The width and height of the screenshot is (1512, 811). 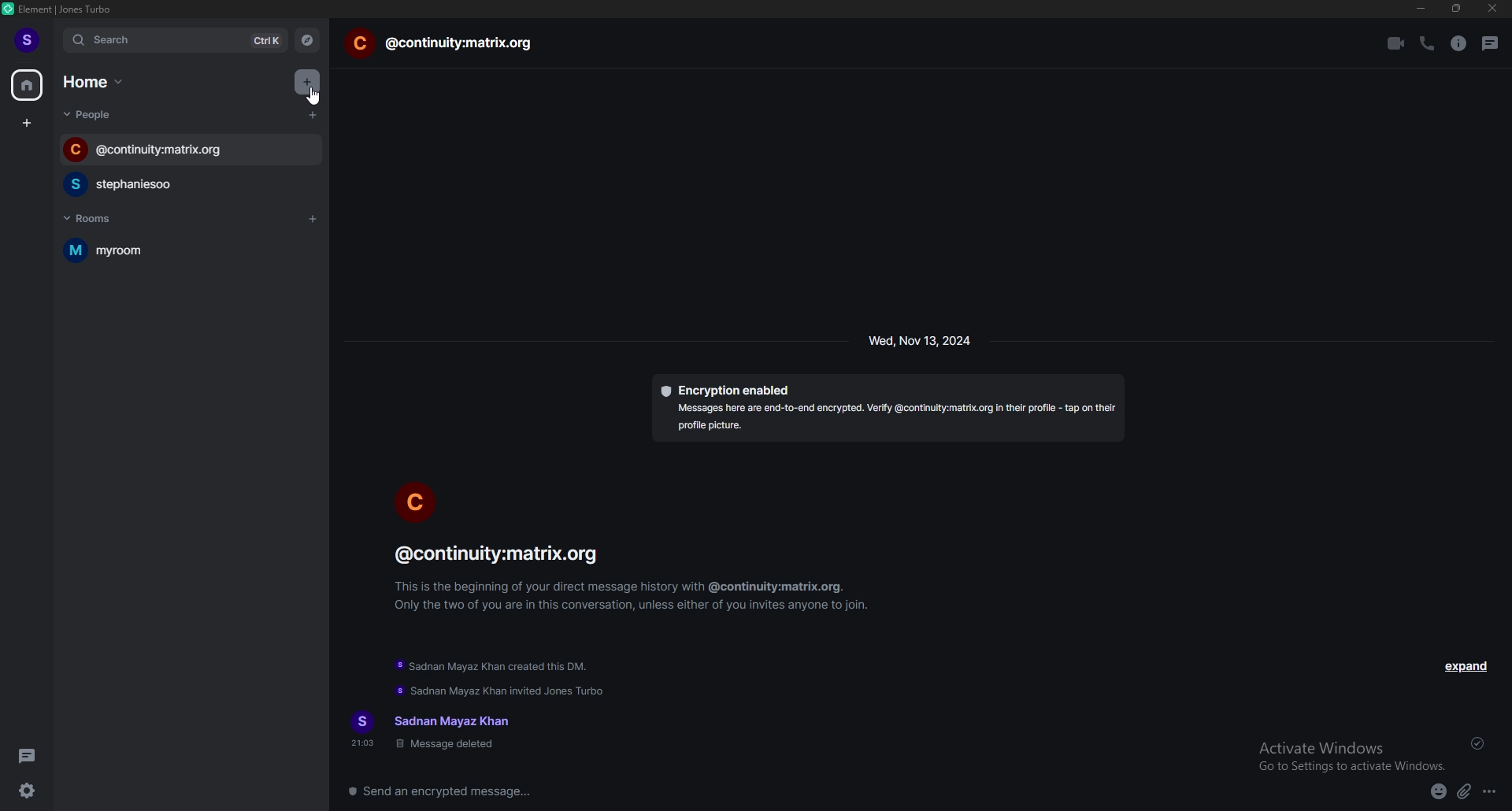 I want to click on message input, so click(x=677, y=791).